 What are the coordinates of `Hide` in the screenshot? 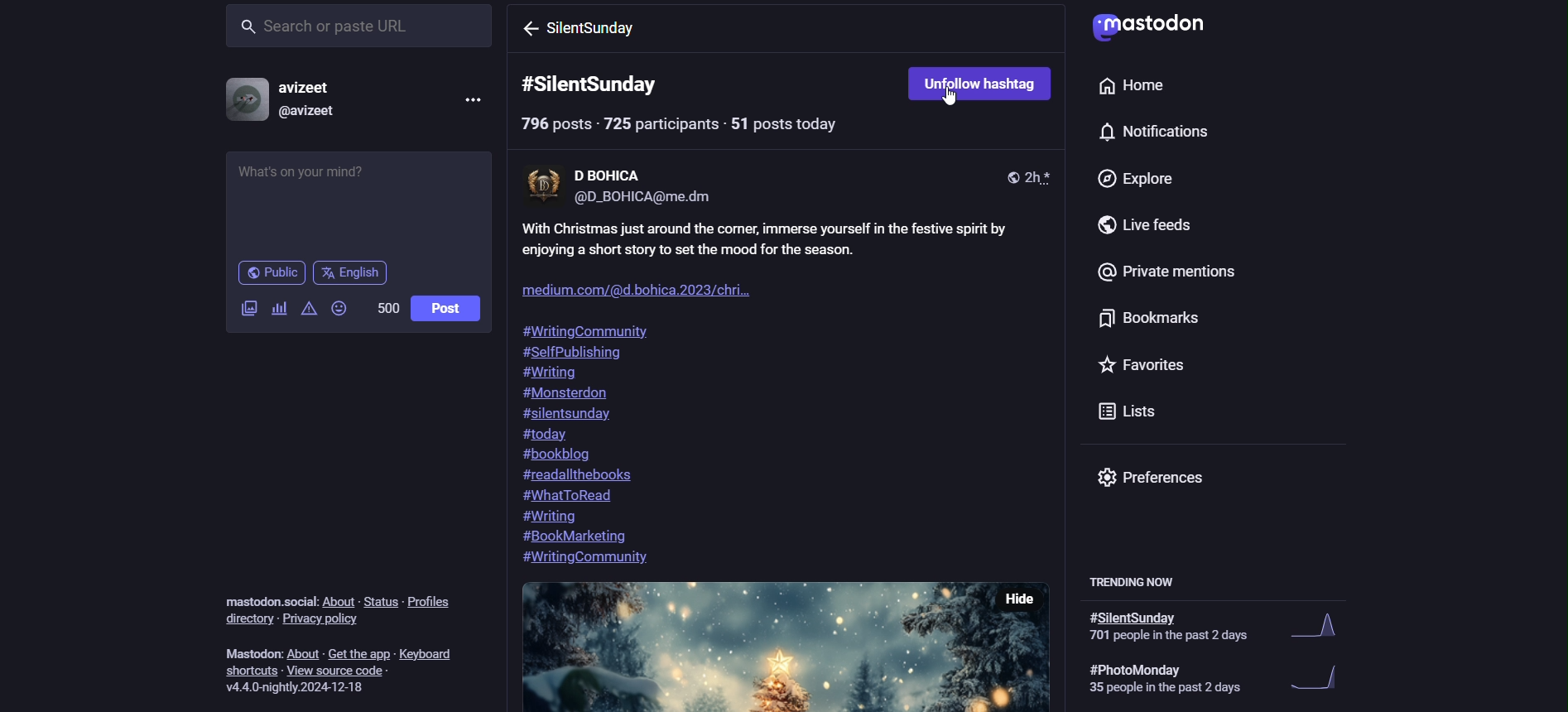 It's located at (1022, 598).